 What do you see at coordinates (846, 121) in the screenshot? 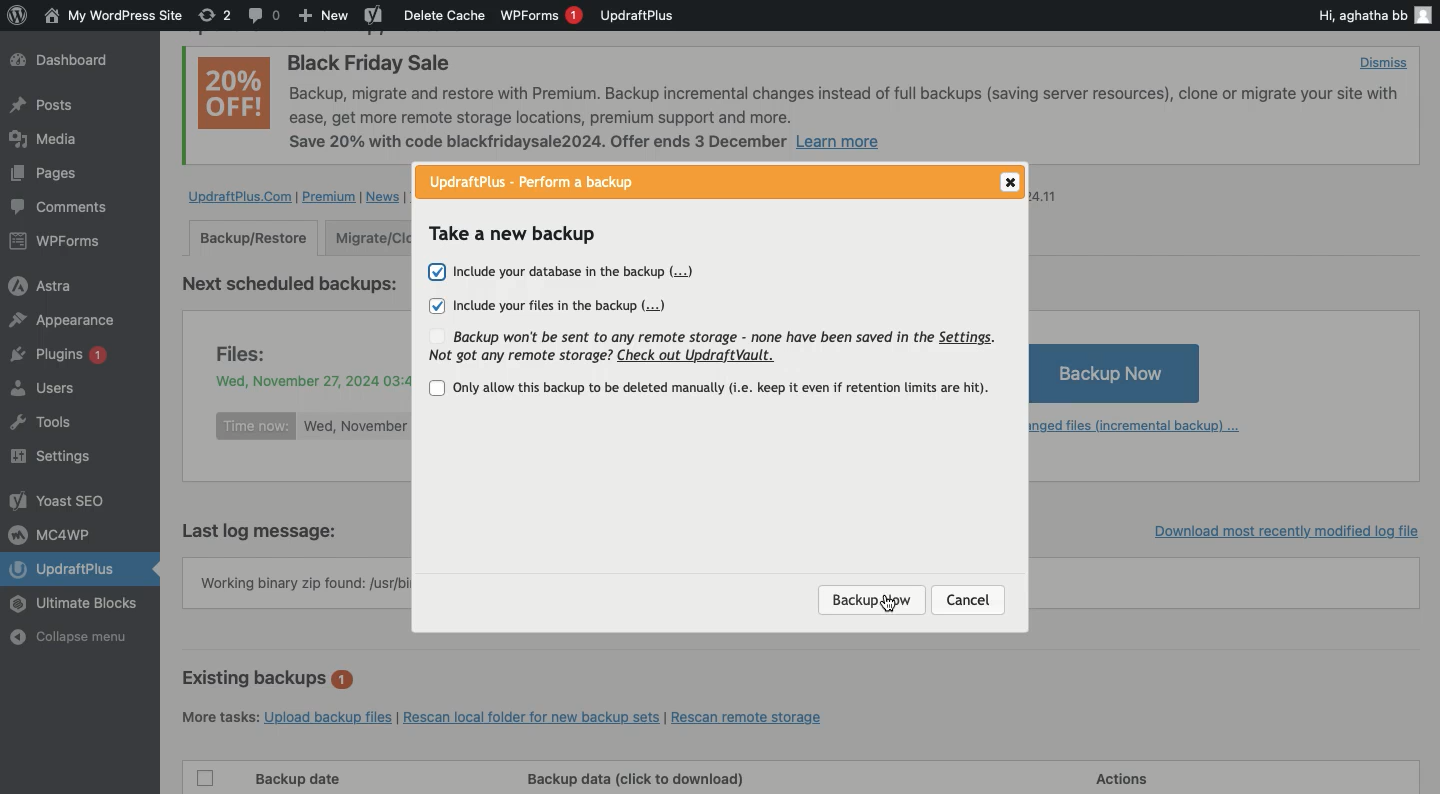
I see `Backup, migrate and restore with Premium. Backup incremental changes instead of full backups (saving server resources), clone or migrate your site withease, get more remote storage locations, premium support and more. Save 20% with code blackfridaysale2024. Offer ends 3 December Learn more` at bounding box center [846, 121].